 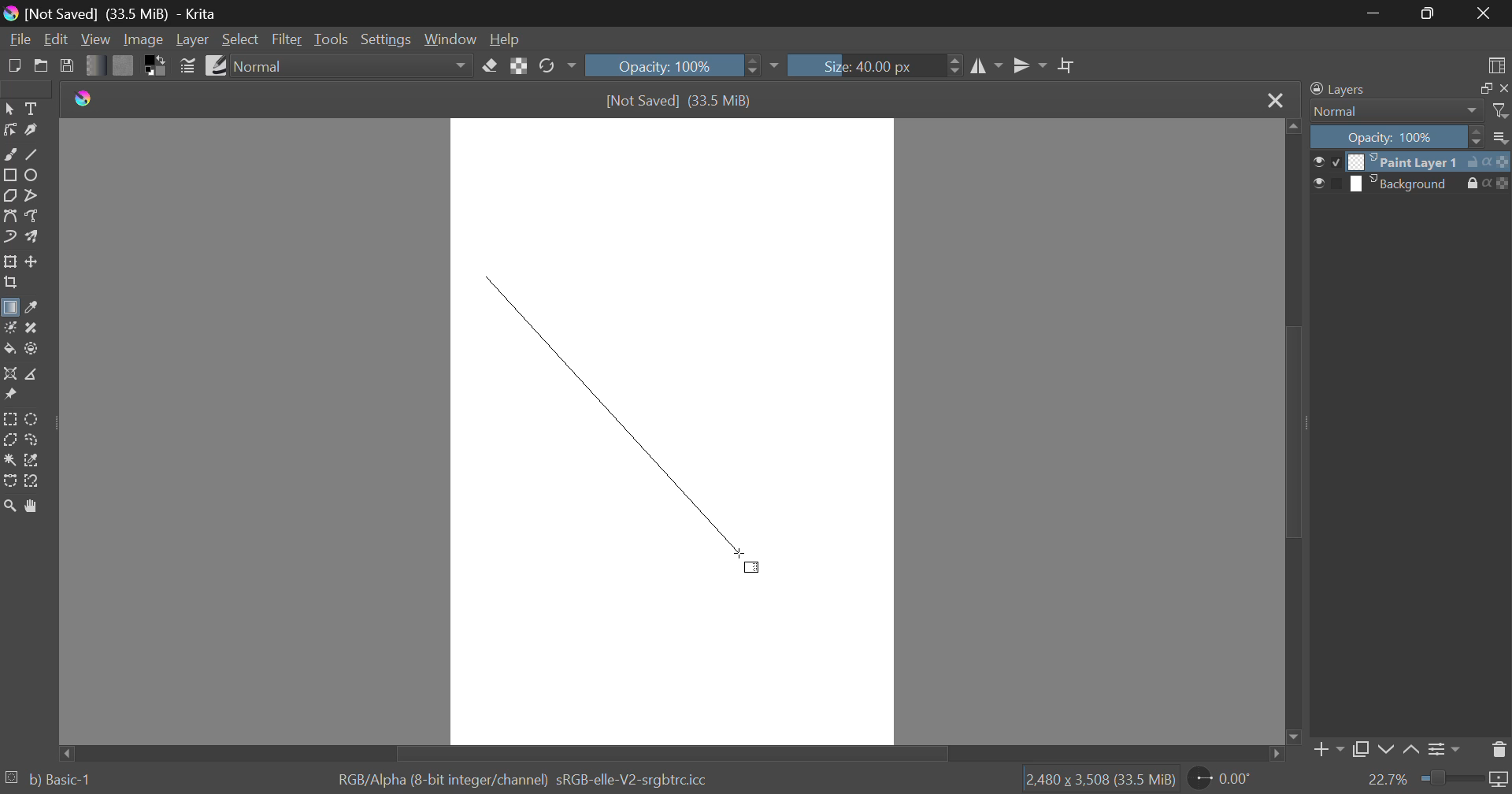 I want to click on Move Layer Down, so click(x=1386, y=751).